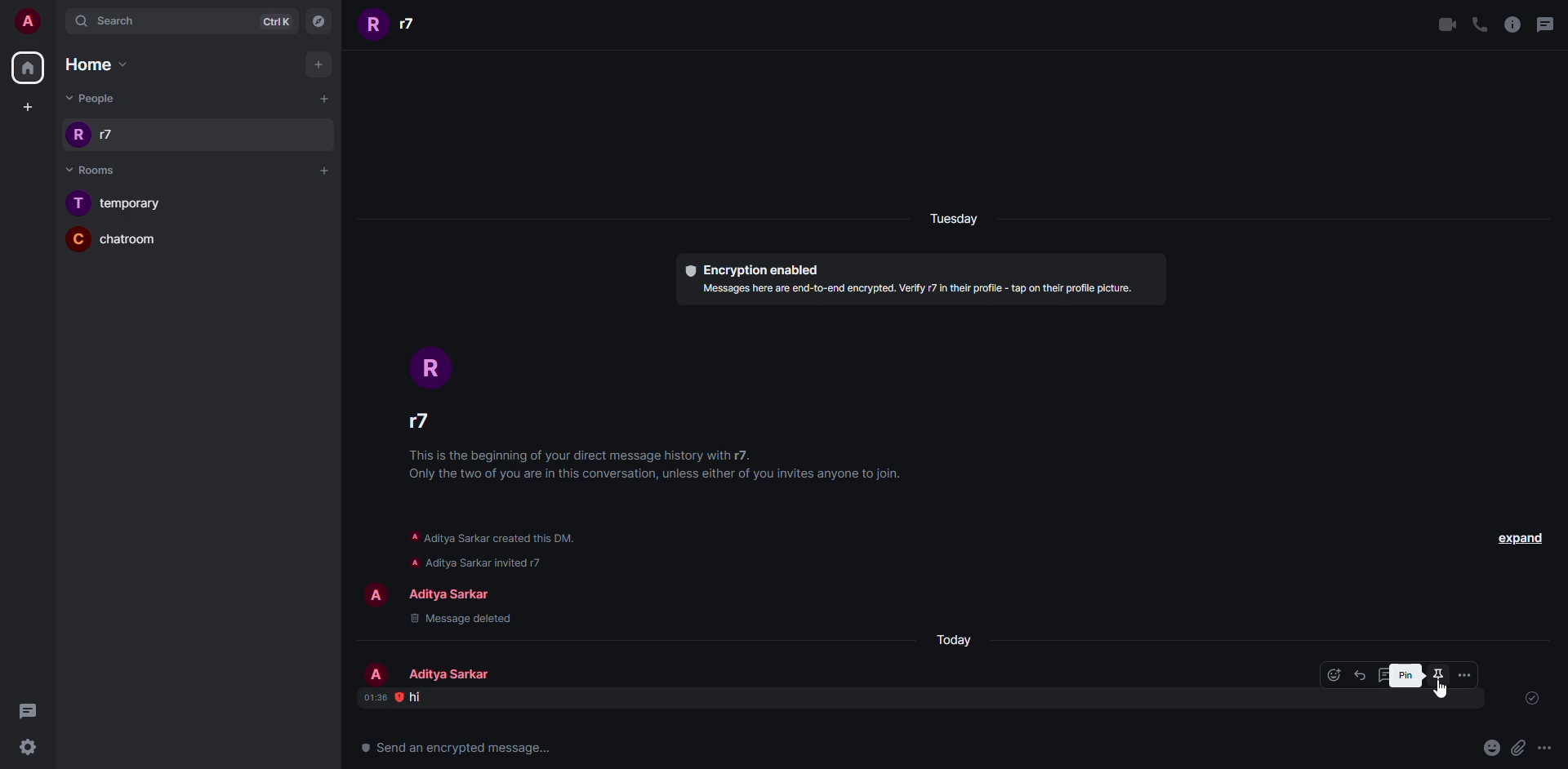 The image size is (1568, 769). Describe the element at coordinates (1529, 696) in the screenshot. I see `sent` at that location.